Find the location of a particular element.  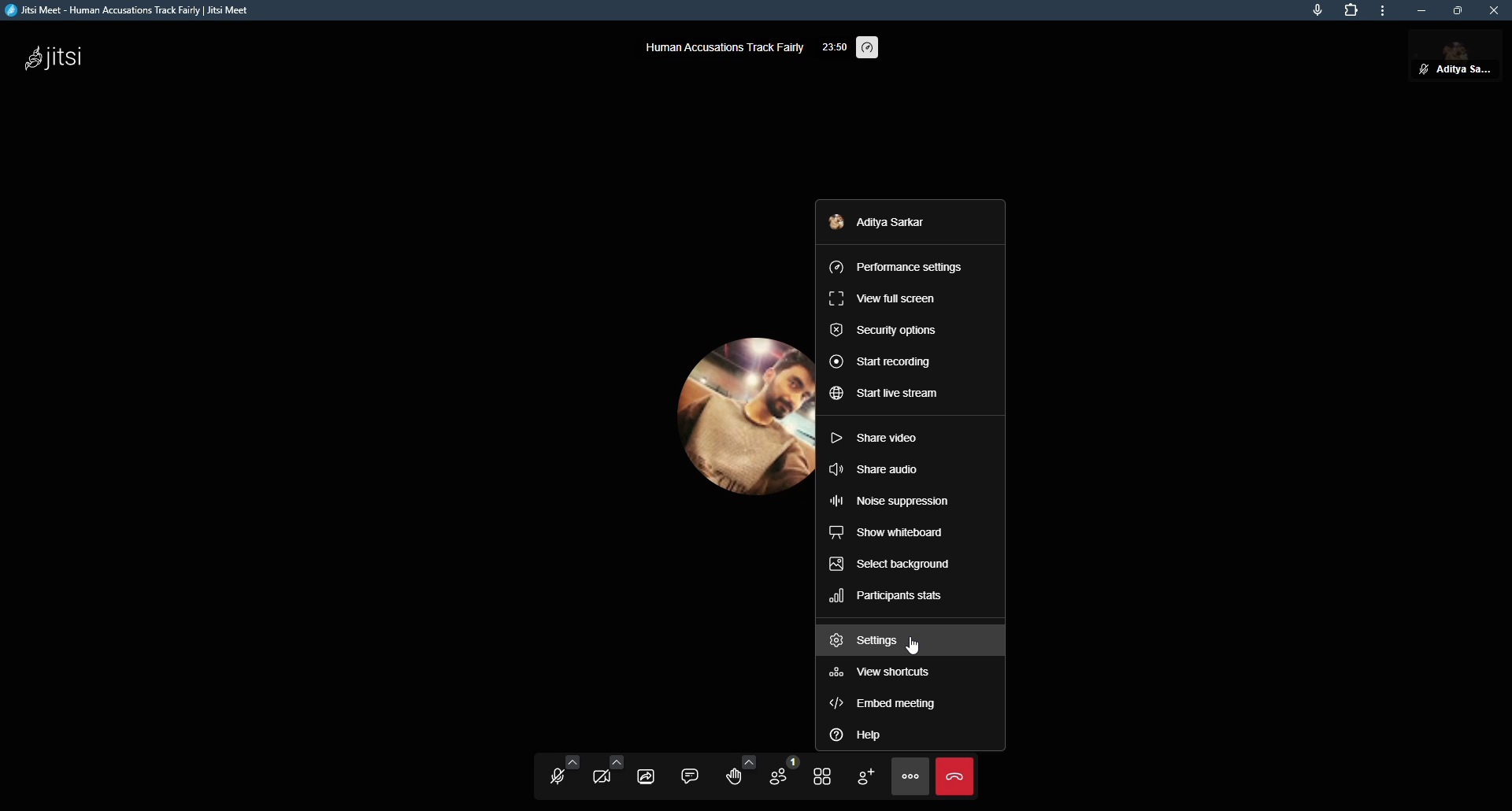

jitsi is located at coordinates (54, 61).